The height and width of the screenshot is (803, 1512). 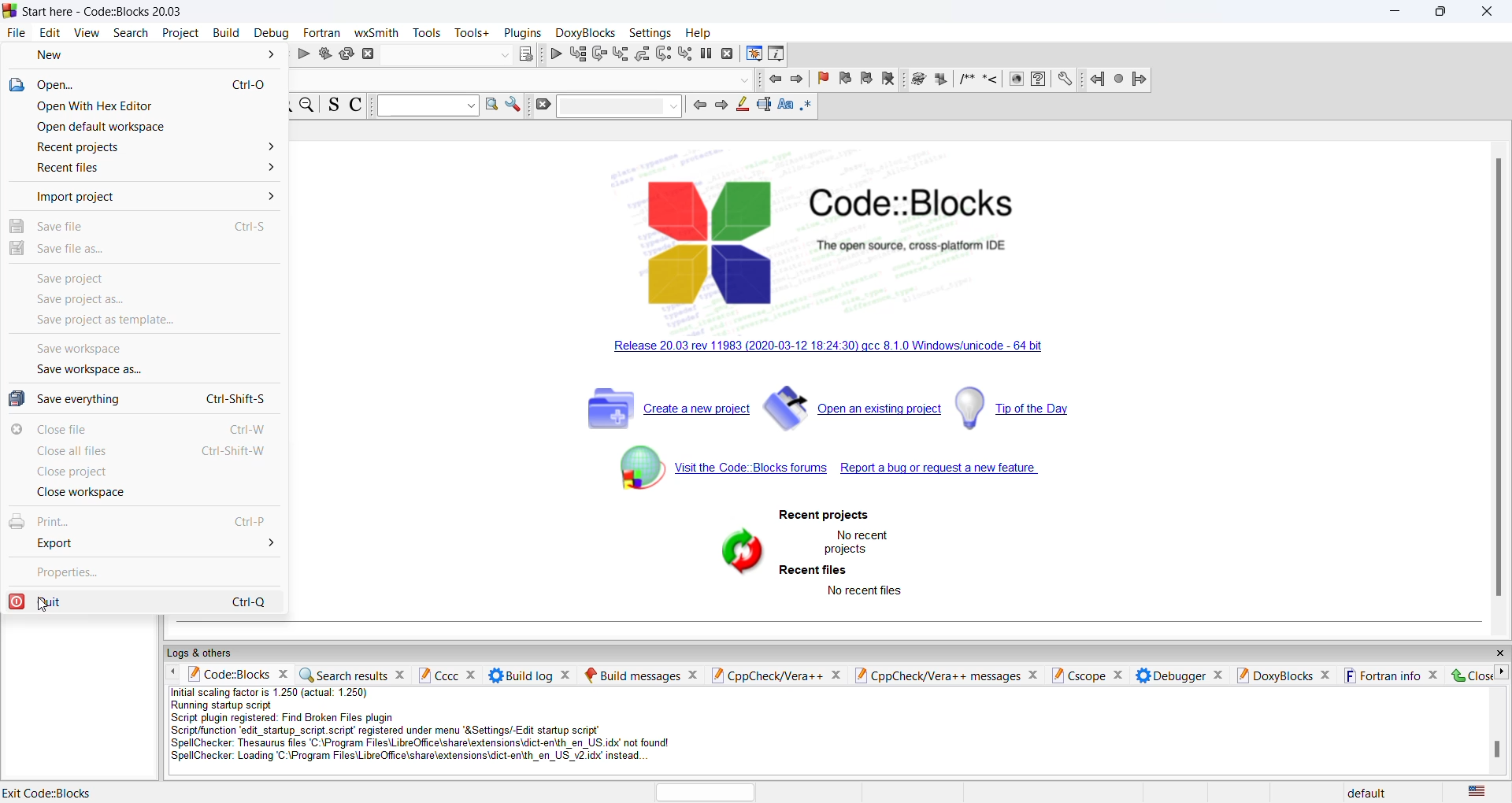 I want to click on step into instruction, so click(x=687, y=54).